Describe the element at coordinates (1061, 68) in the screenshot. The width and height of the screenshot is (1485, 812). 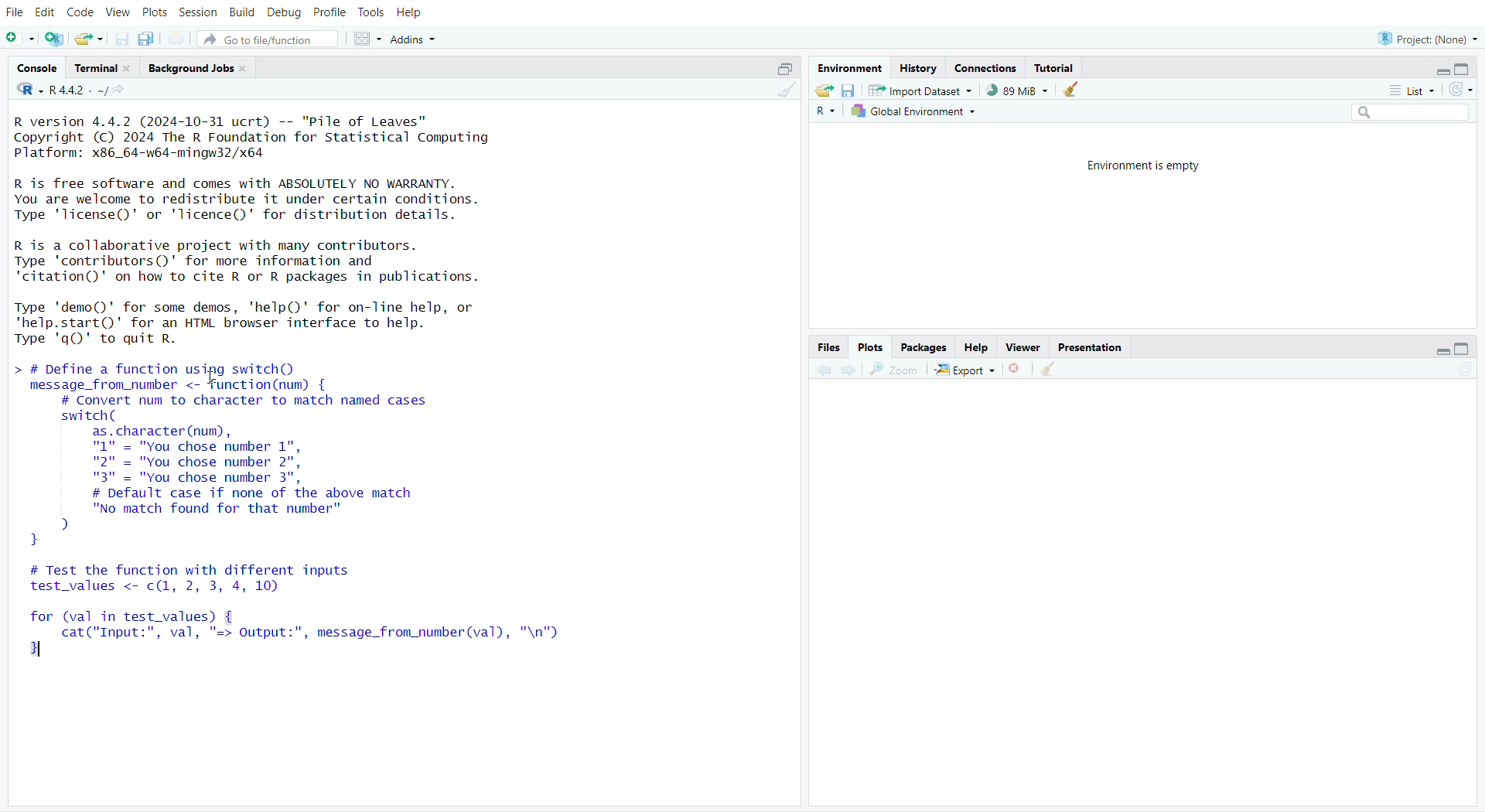
I see `Tutorial` at that location.